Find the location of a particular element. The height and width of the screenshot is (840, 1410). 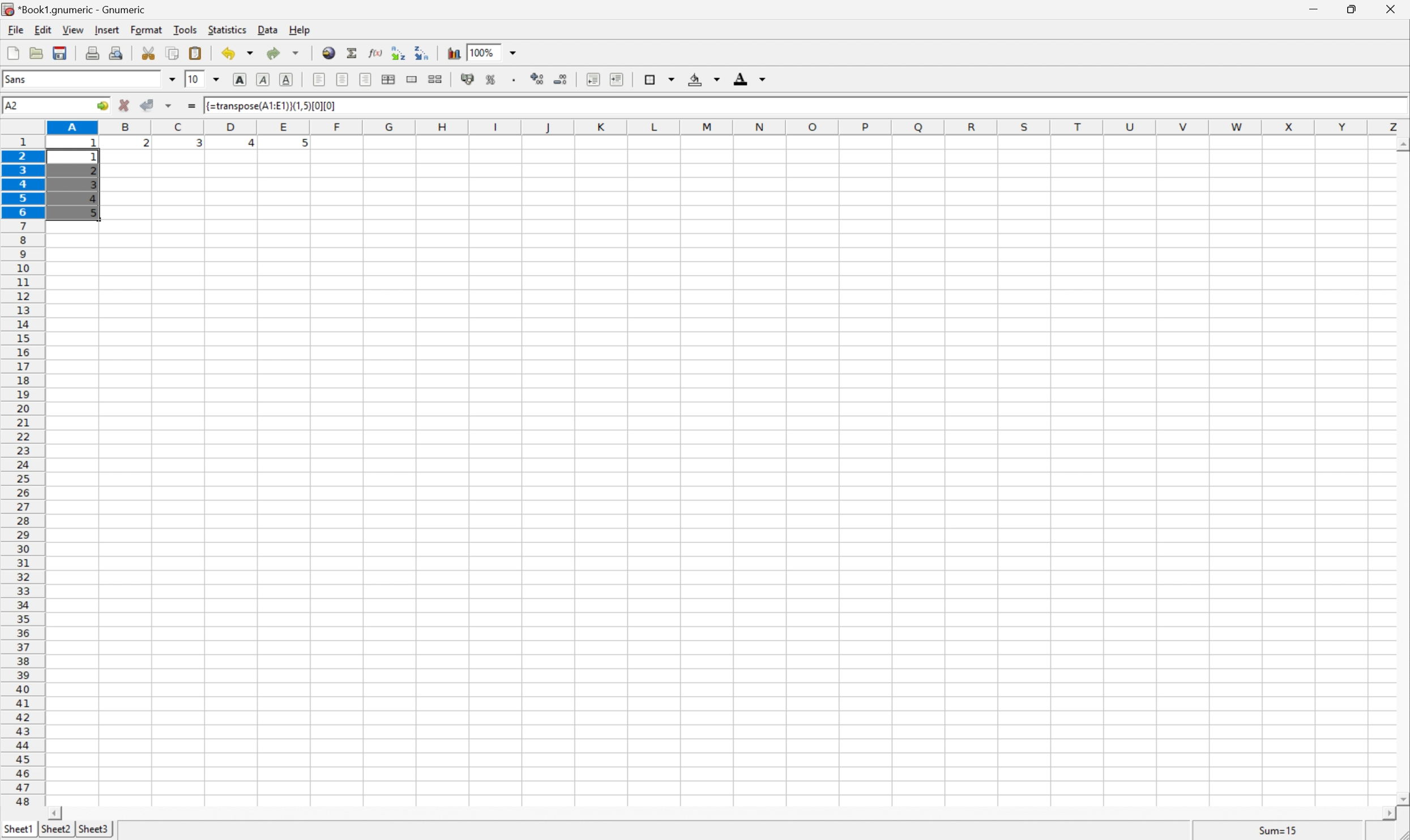

{=transpose(A1:E1)}(1,5)[0][0] is located at coordinates (272, 105).